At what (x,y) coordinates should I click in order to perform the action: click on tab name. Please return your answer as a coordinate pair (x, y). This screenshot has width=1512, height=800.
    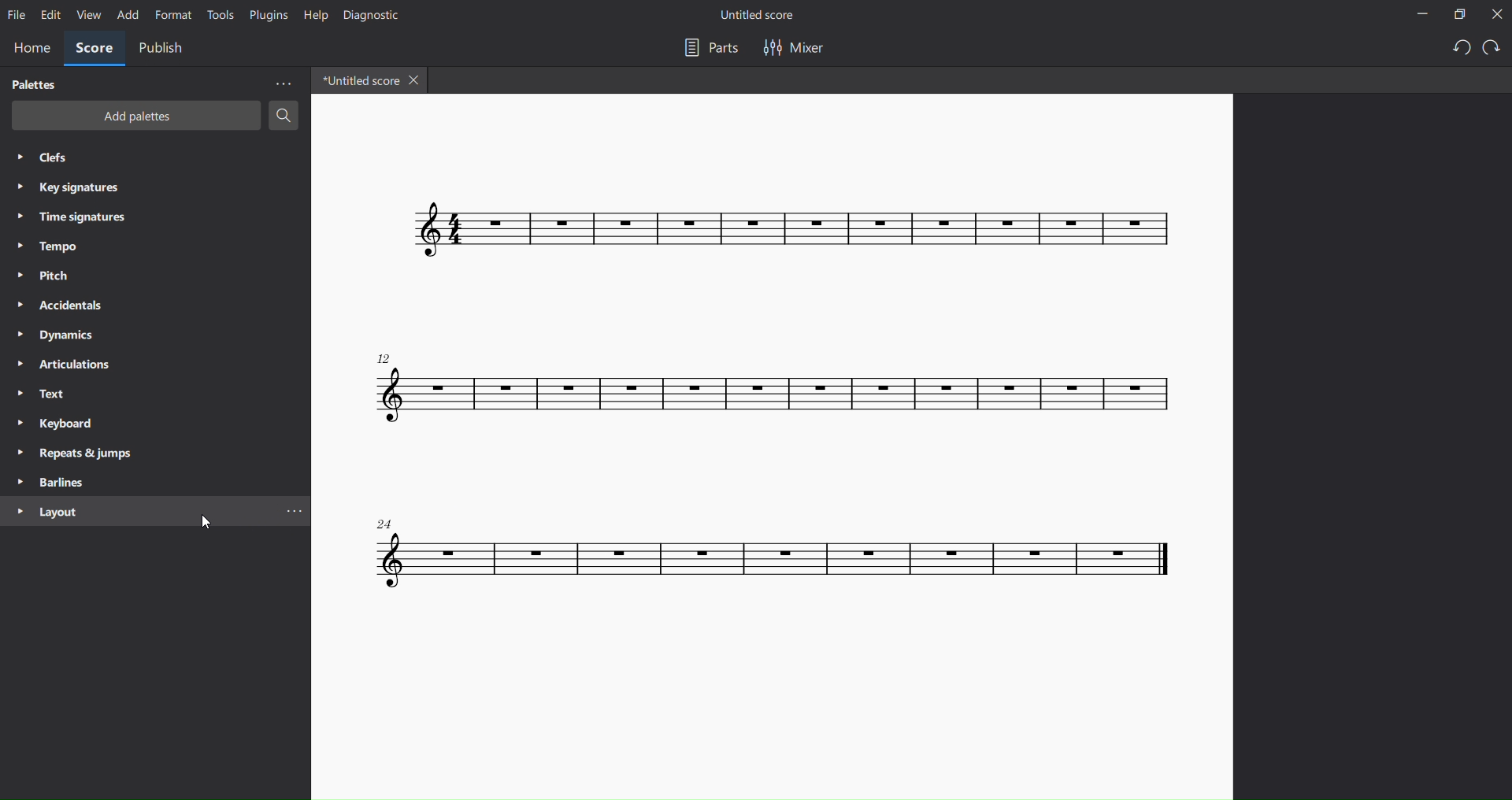
    Looking at the image, I should click on (357, 80).